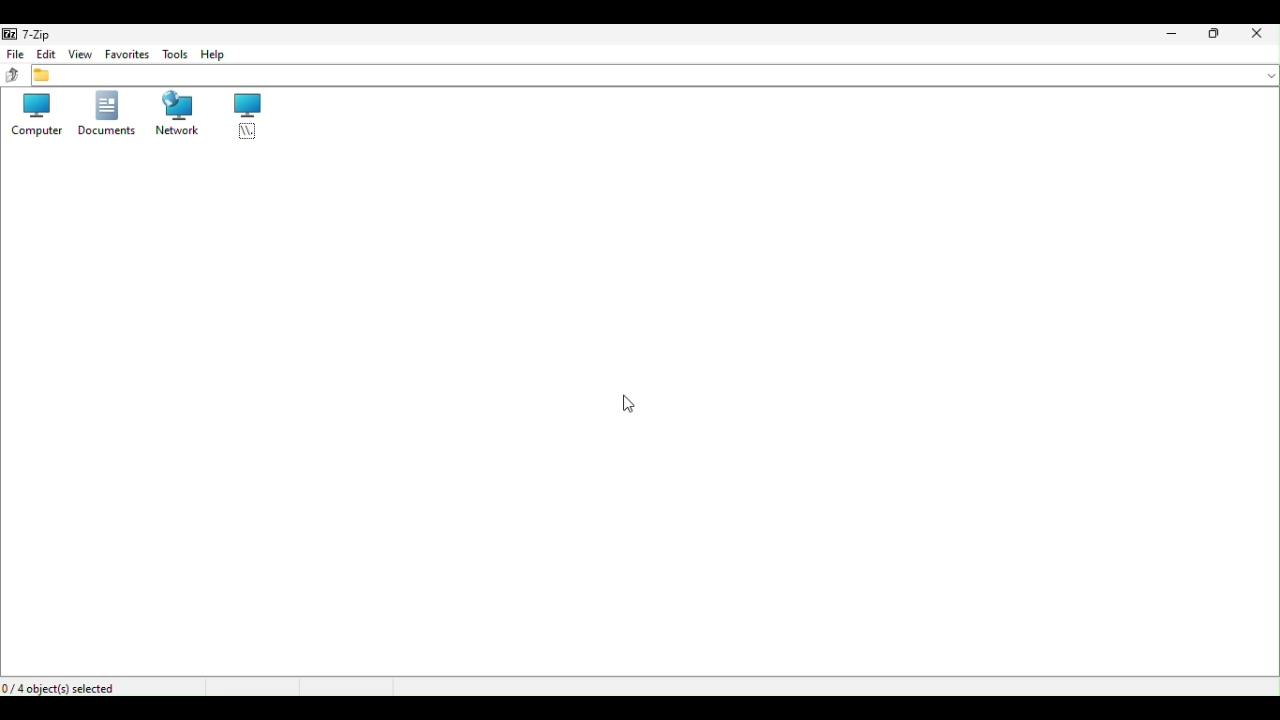 The image size is (1280, 720). I want to click on Close, so click(1262, 33).